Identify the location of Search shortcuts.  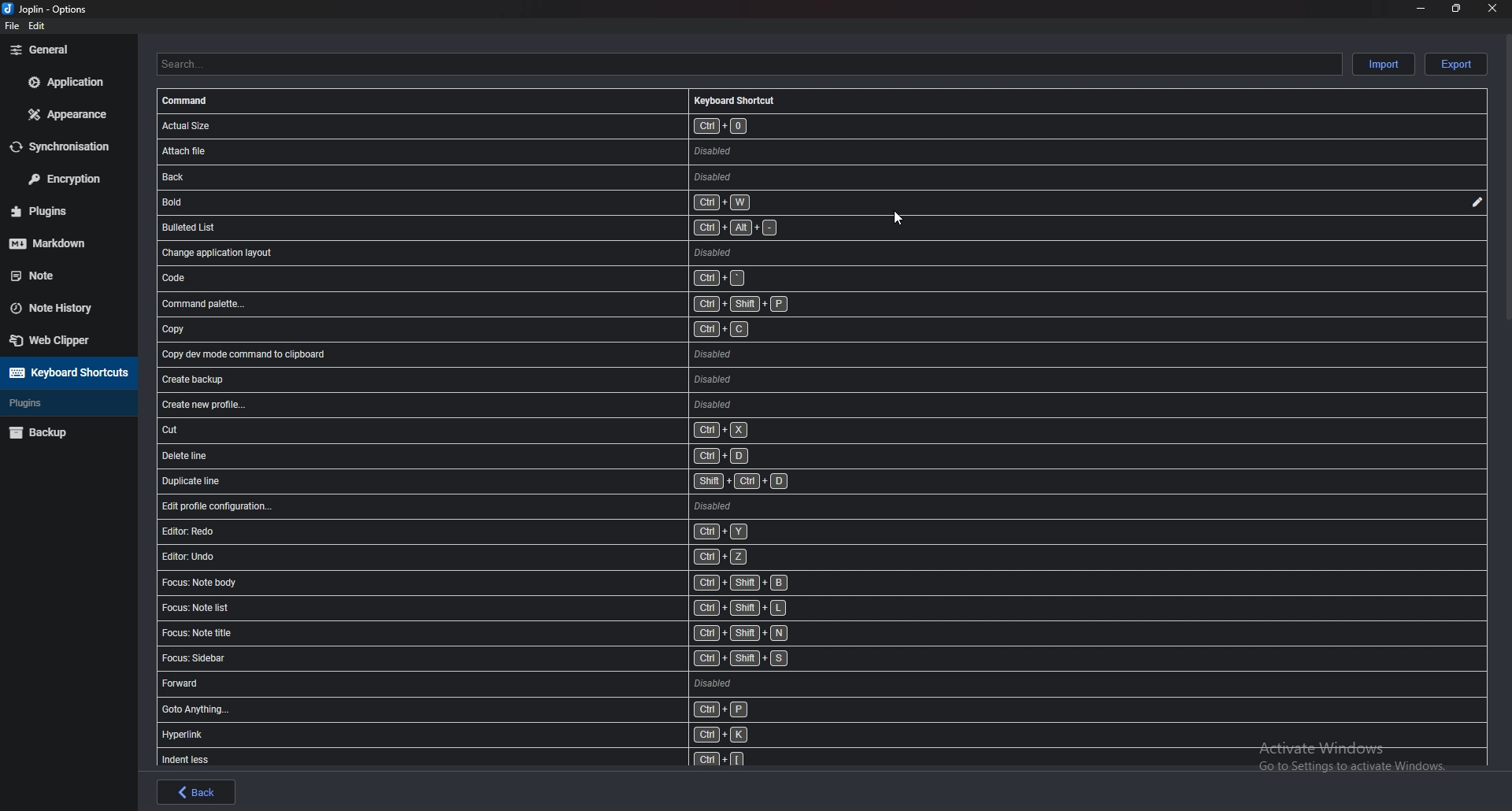
(752, 65).